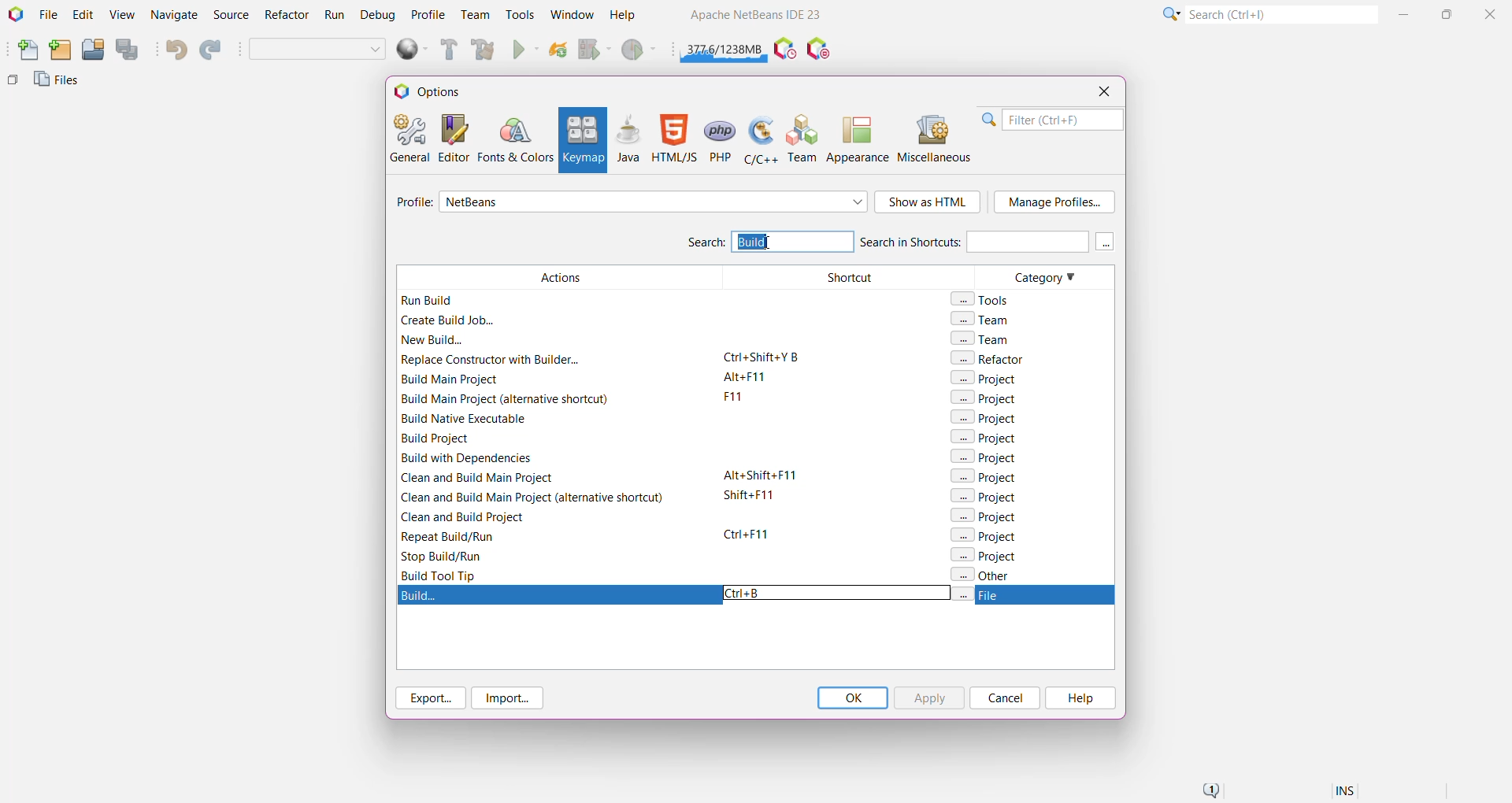 This screenshot has height=803, width=1512. What do you see at coordinates (724, 47) in the screenshot?
I see `Click to force garbage collection` at bounding box center [724, 47].